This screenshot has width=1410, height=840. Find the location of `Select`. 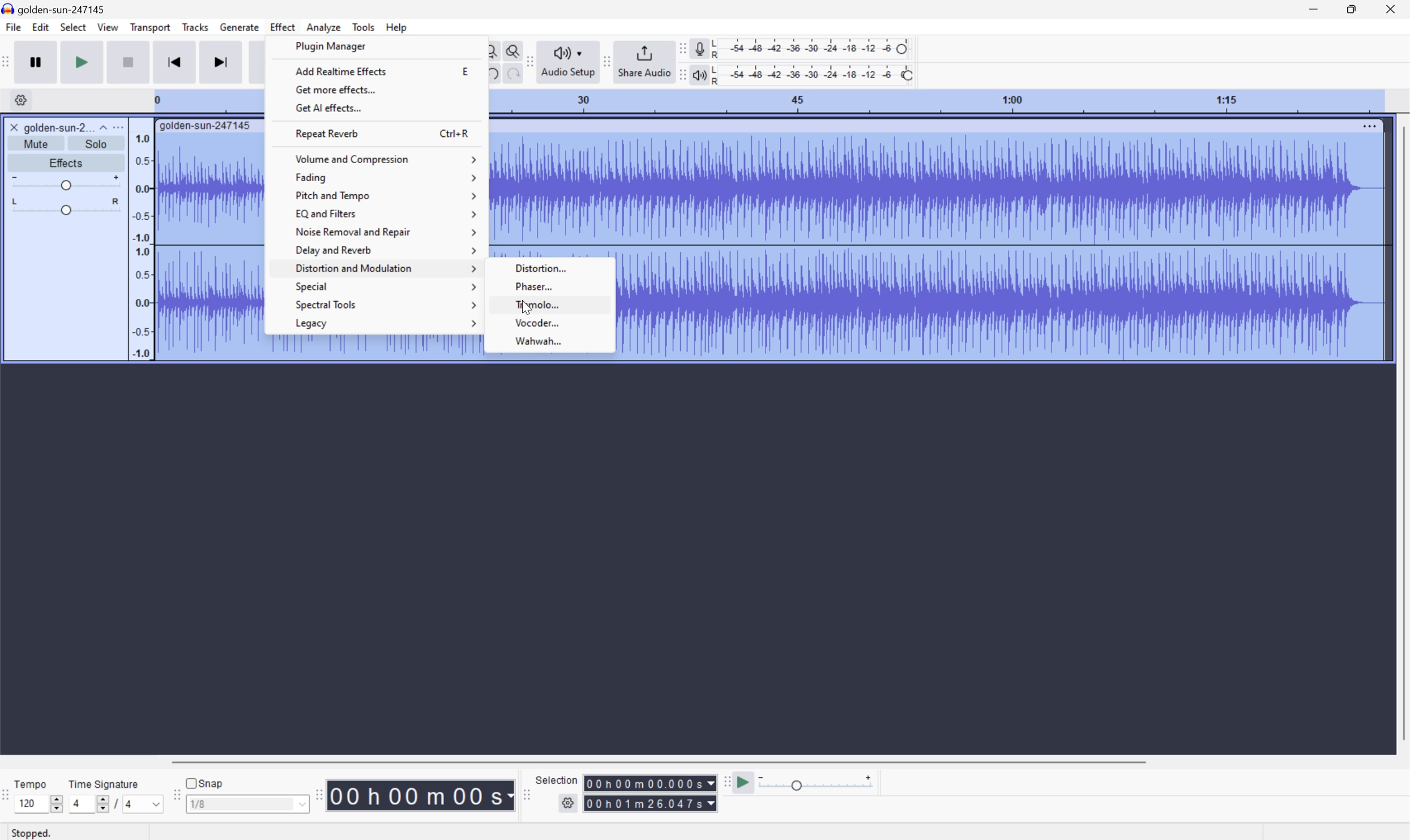

Select is located at coordinates (73, 26).